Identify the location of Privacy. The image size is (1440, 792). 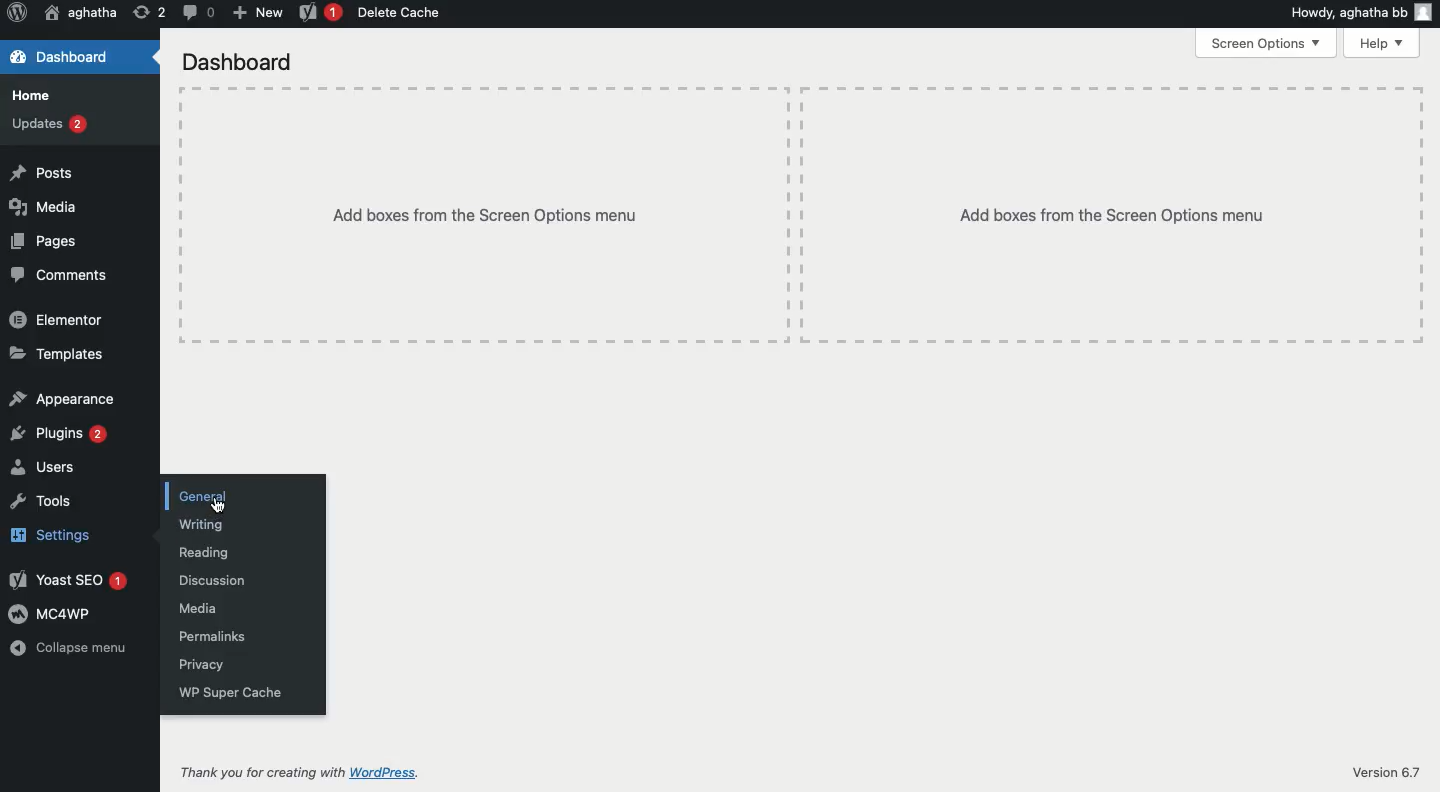
(197, 666).